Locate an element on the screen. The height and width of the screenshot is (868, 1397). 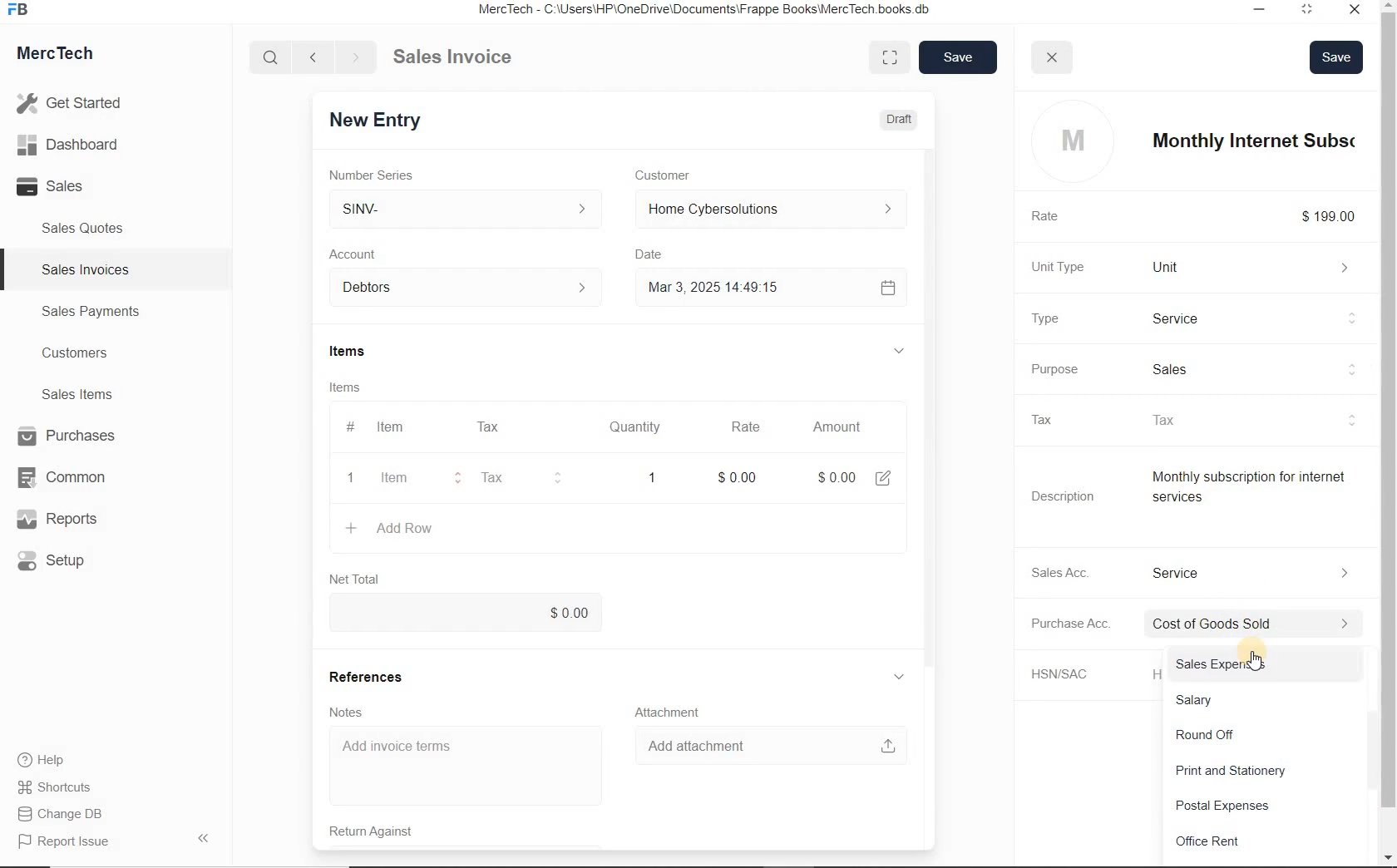
# is located at coordinates (540, 427).